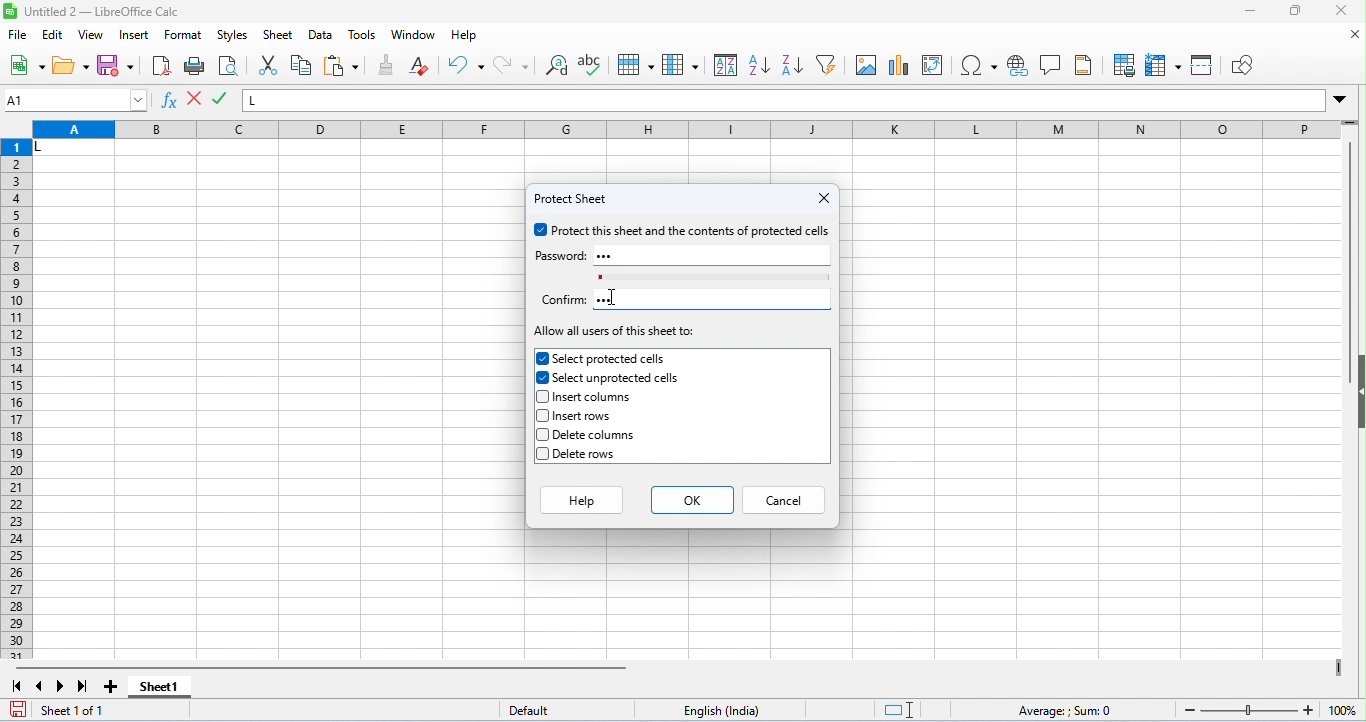  What do you see at coordinates (791, 65) in the screenshot?
I see `sort descending` at bounding box center [791, 65].